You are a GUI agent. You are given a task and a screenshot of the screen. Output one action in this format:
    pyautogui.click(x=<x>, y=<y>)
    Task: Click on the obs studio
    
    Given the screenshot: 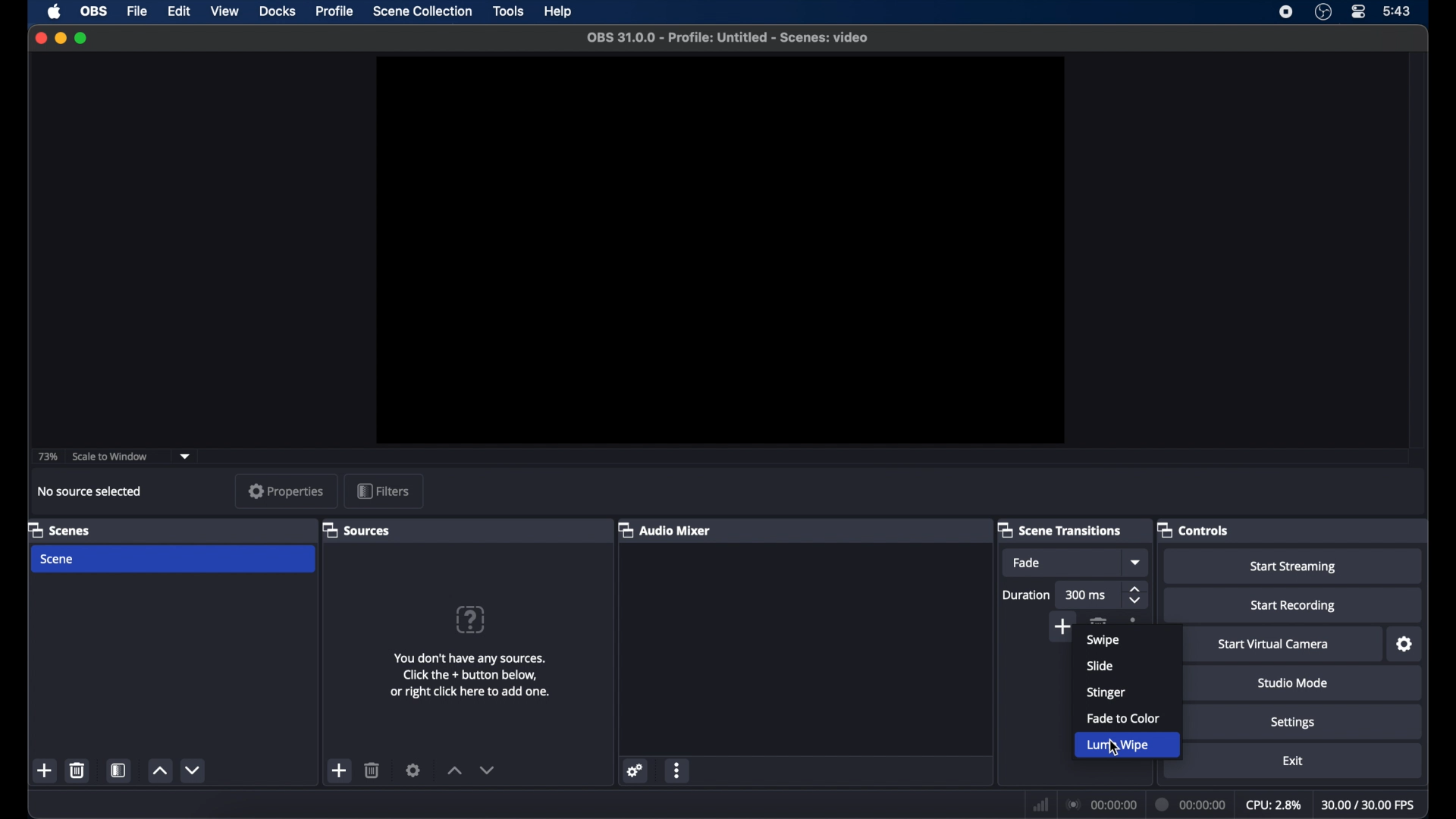 What is the action you would take?
    pyautogui.click(x=1323, y=12)
    